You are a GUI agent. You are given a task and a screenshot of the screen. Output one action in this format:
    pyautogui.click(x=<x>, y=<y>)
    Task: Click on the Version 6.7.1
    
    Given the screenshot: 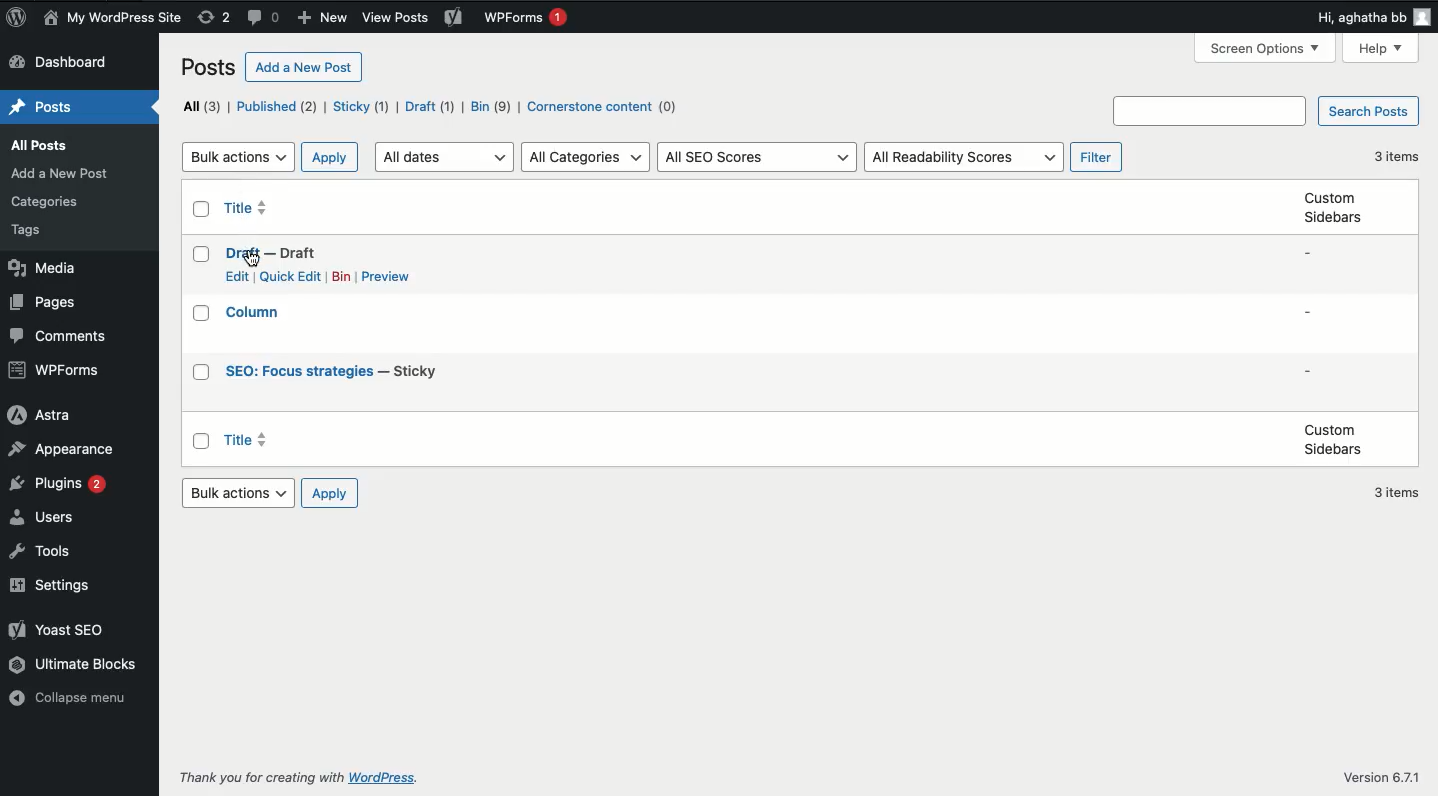 What is the action you would take?
    pyautogui.click(x=1382, y=778)
    